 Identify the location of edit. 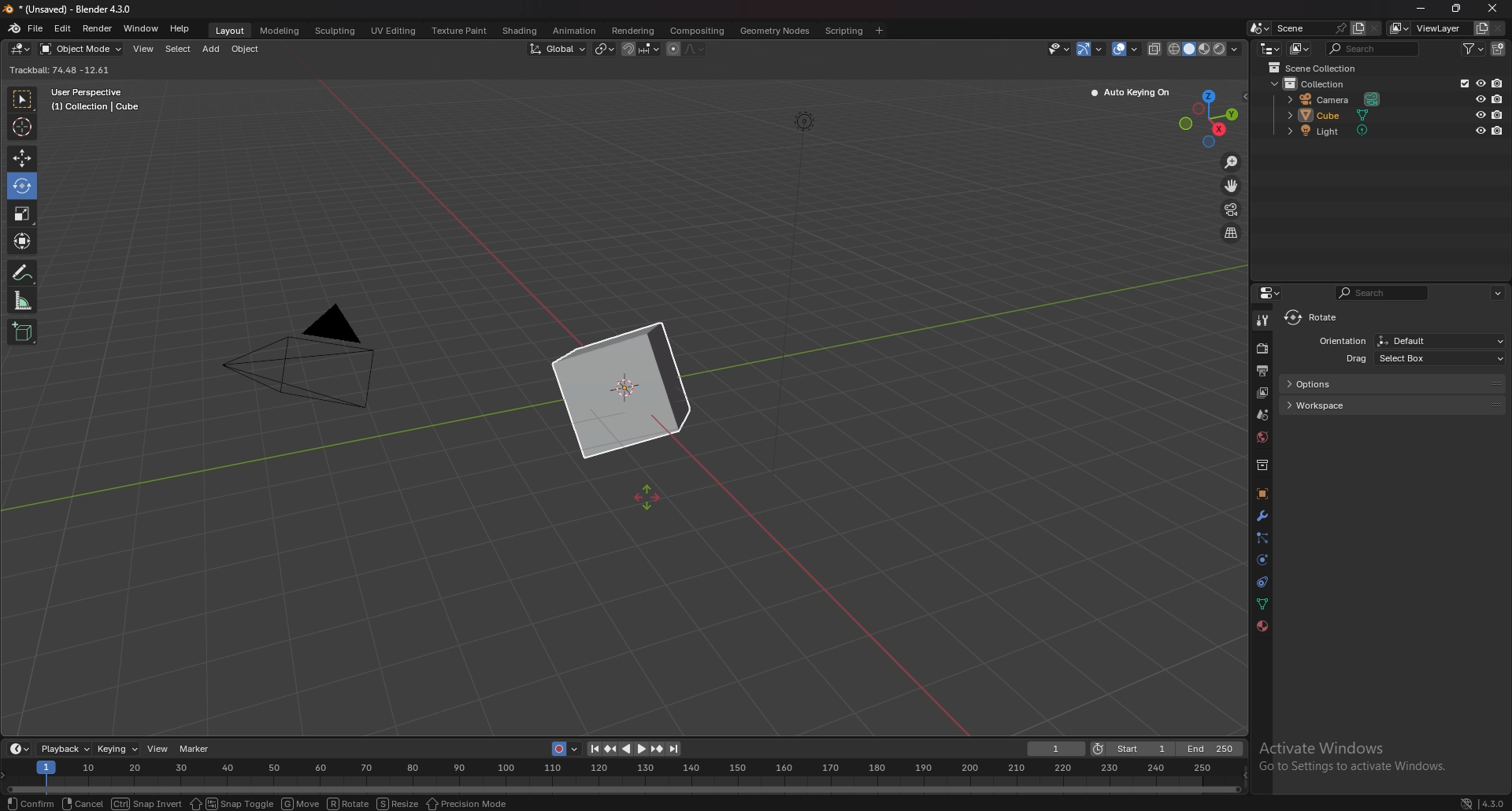
(62, 28).